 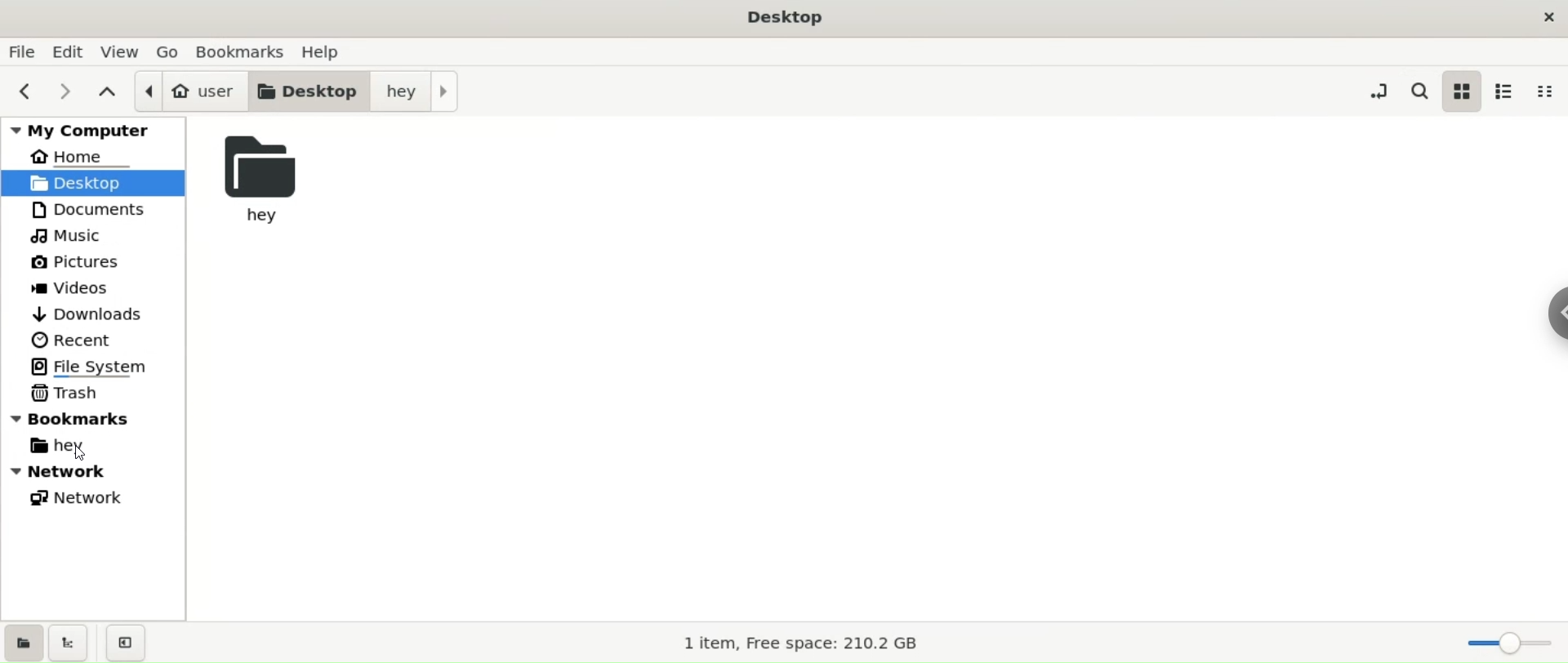 I want to click on desktop, so click(x=100, y=184).